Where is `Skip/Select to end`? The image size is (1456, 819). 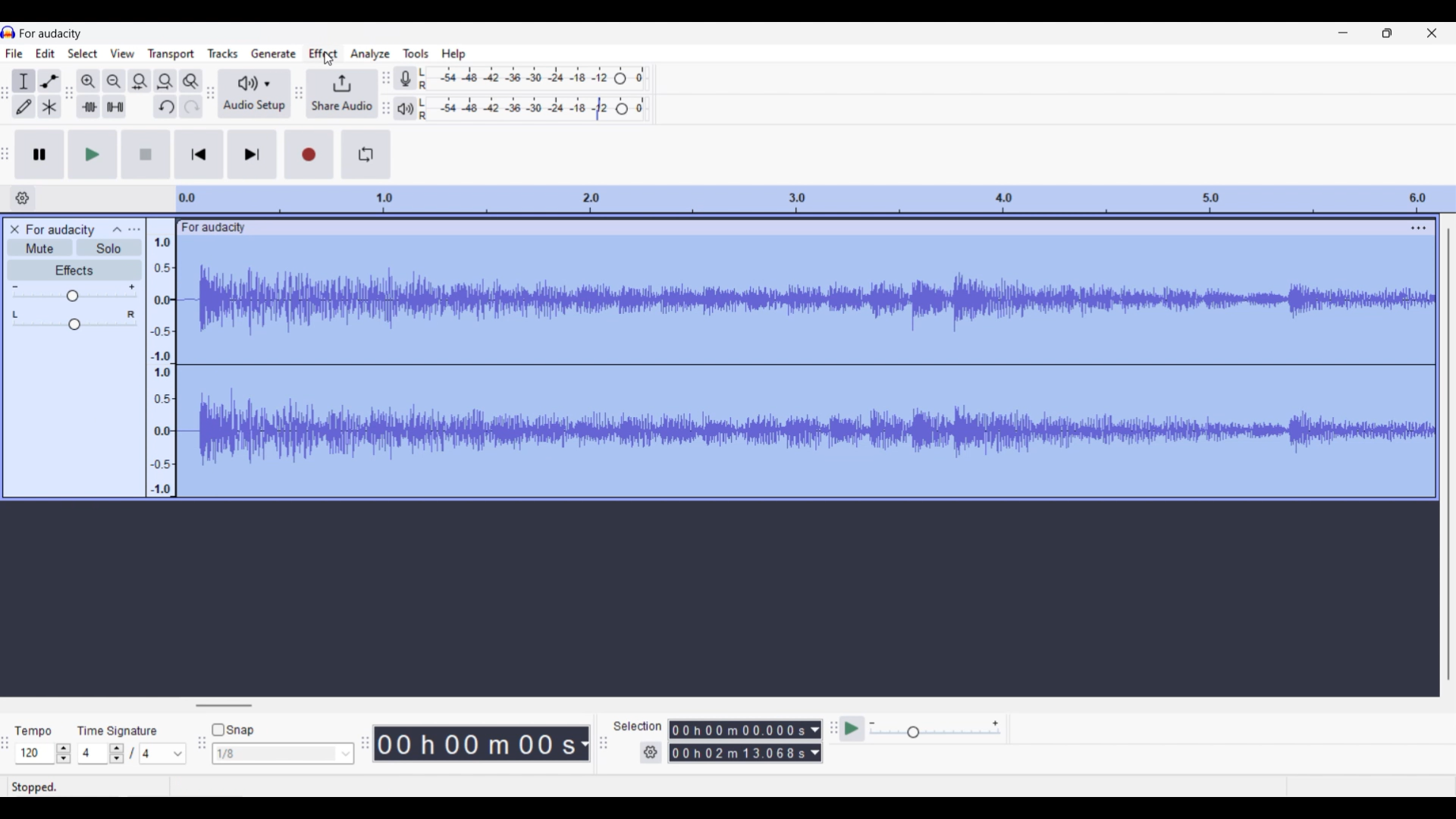
Skip/Select to end is located at coordinates (253, 155).